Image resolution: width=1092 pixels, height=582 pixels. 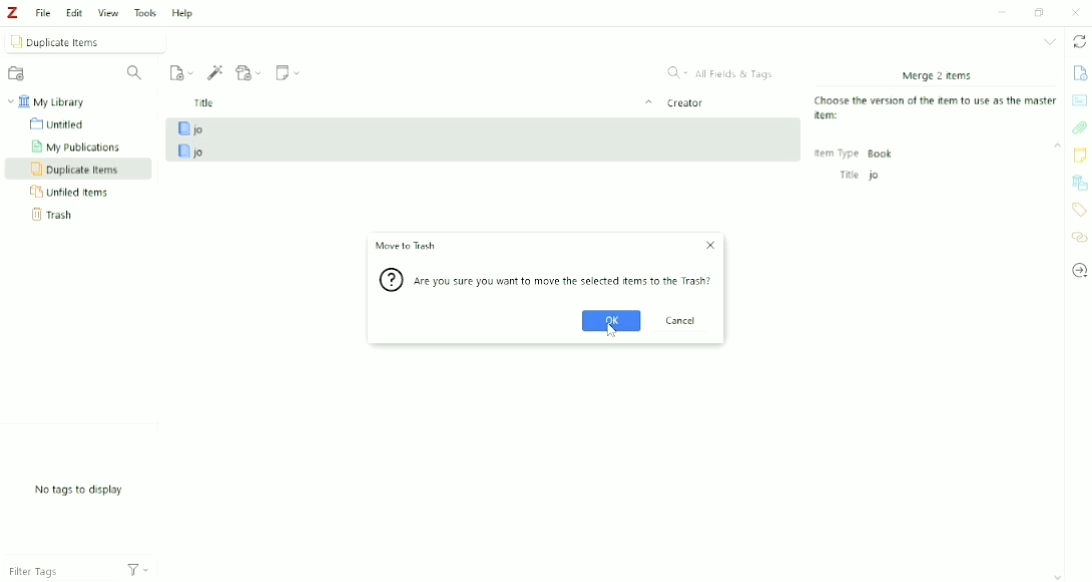 What do you see at coordinates (109, 13) in the screenshot?
I see `View` at bounding box center [109, 13].